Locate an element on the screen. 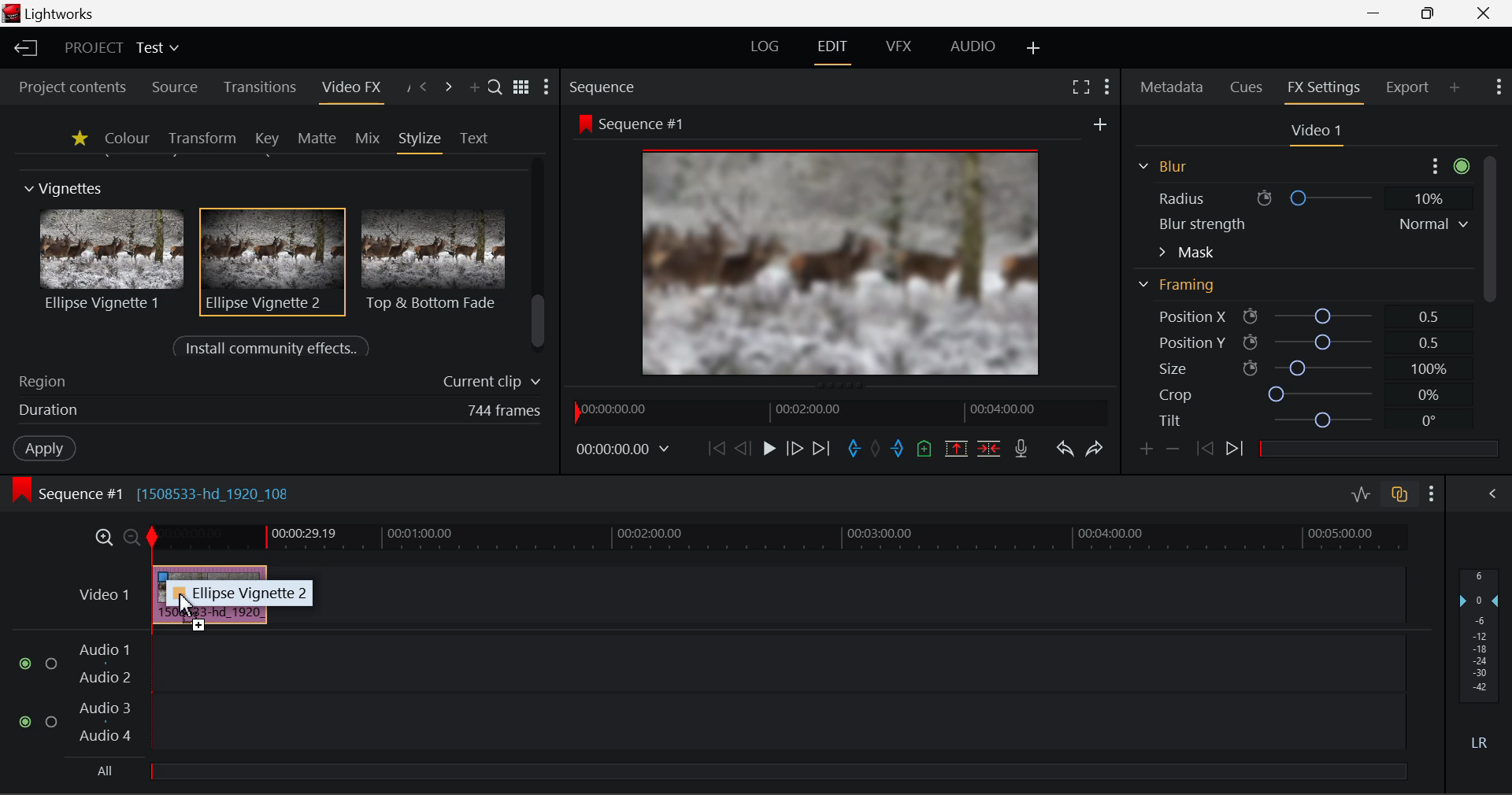 The image size is (1512, 795). Remove keyframe is located at coordinates (1173, 448).